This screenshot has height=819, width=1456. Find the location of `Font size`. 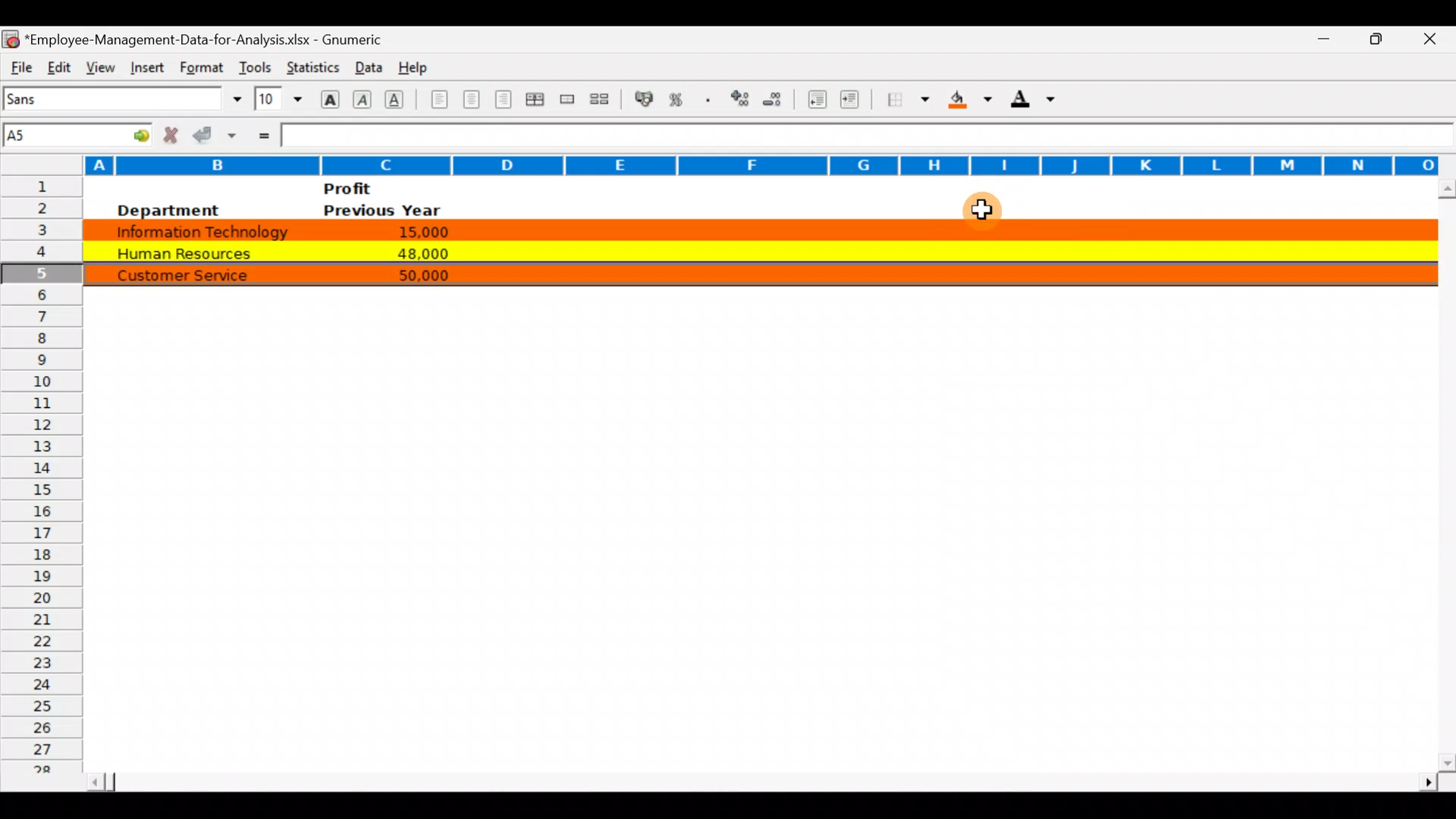

Font size is located at coordinates (278, 99).